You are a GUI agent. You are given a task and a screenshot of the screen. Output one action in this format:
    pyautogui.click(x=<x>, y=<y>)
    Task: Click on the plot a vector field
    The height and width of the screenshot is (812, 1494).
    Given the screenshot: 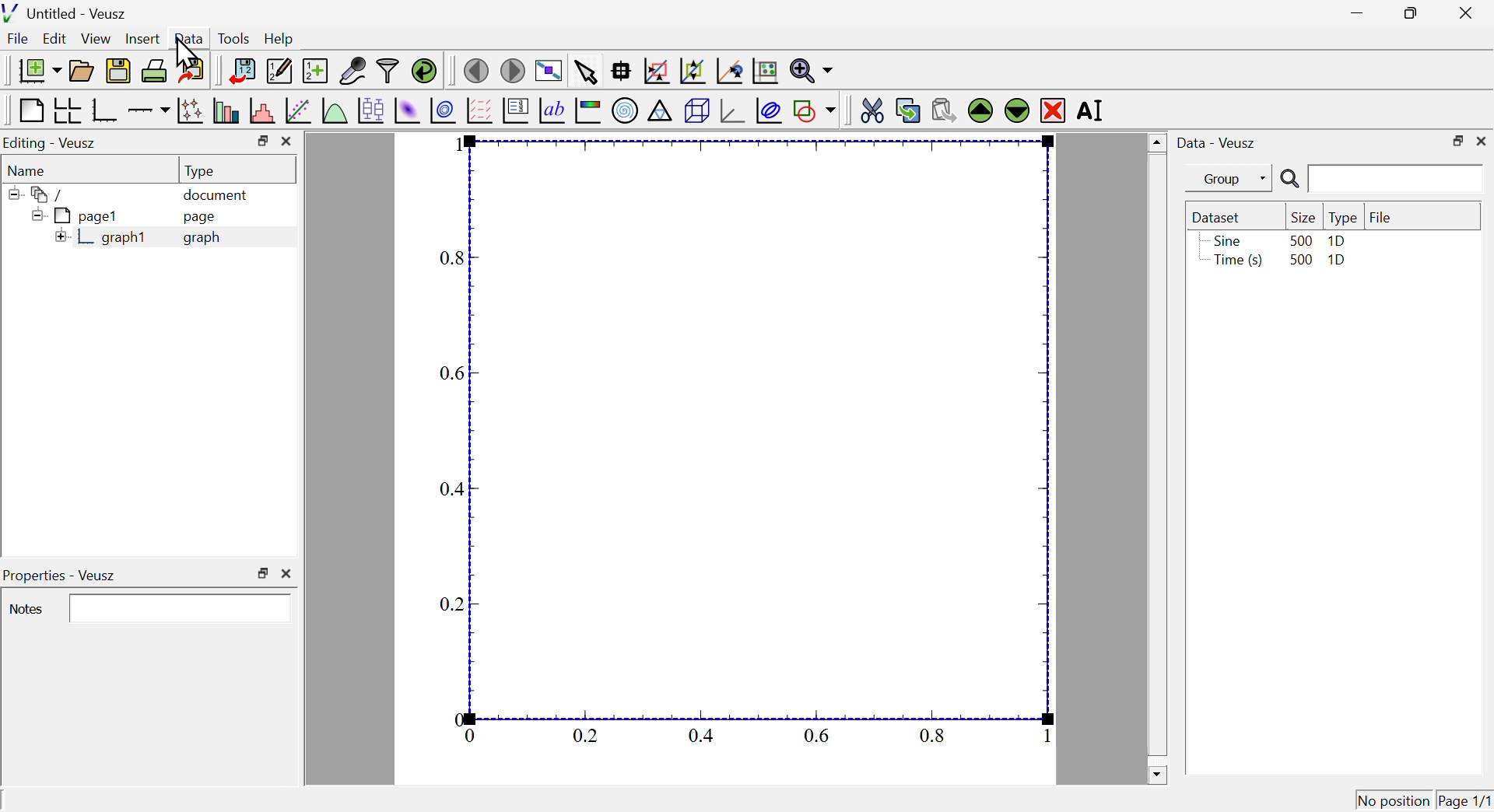 What is the action you would take?
    pyautogui.click(x=479, y=110)
    